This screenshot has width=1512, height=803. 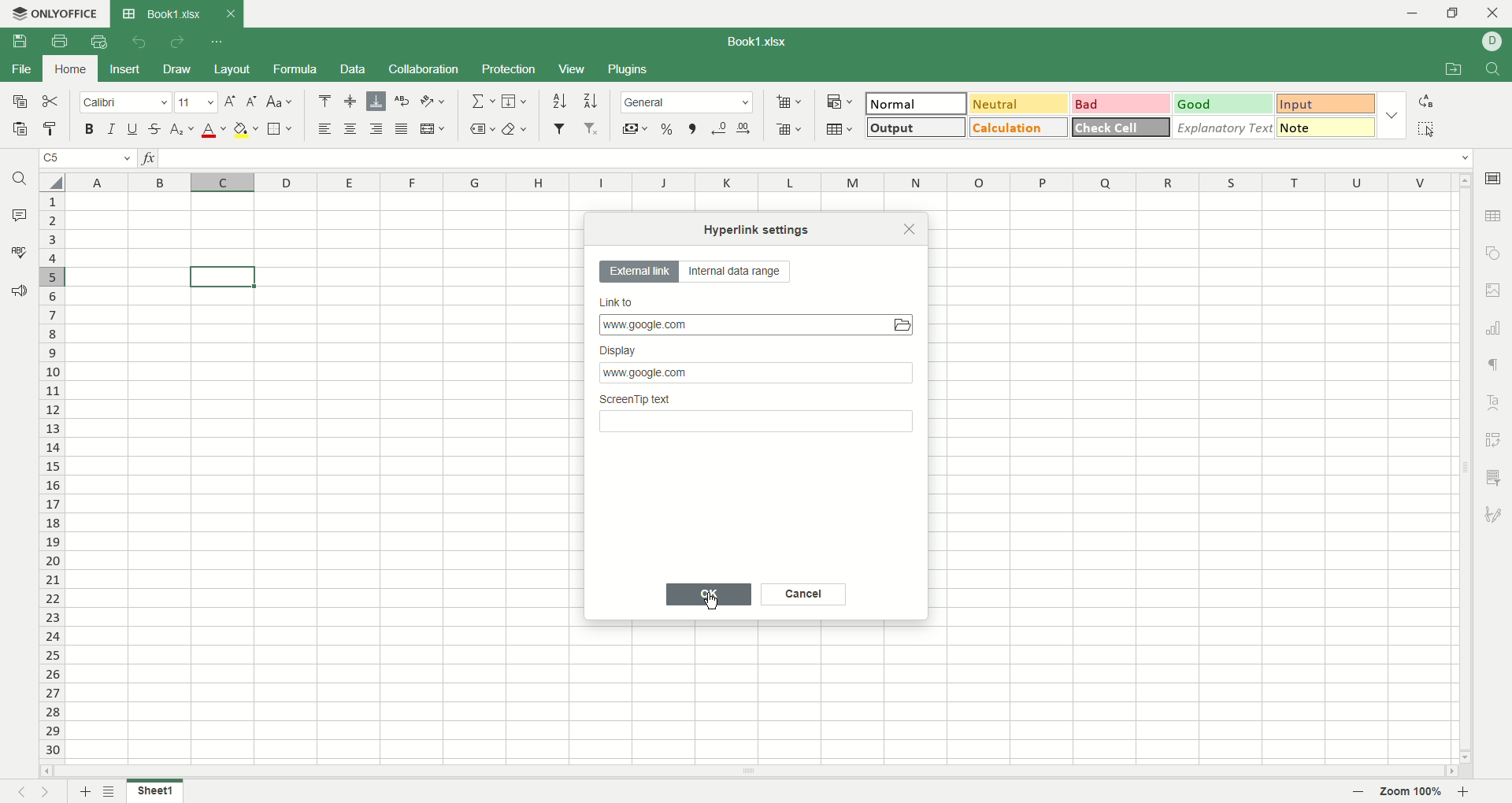 What do you see at coordinates (1494, 15) in the screenshot?
I see `close` at bounding box center [1494, 15].